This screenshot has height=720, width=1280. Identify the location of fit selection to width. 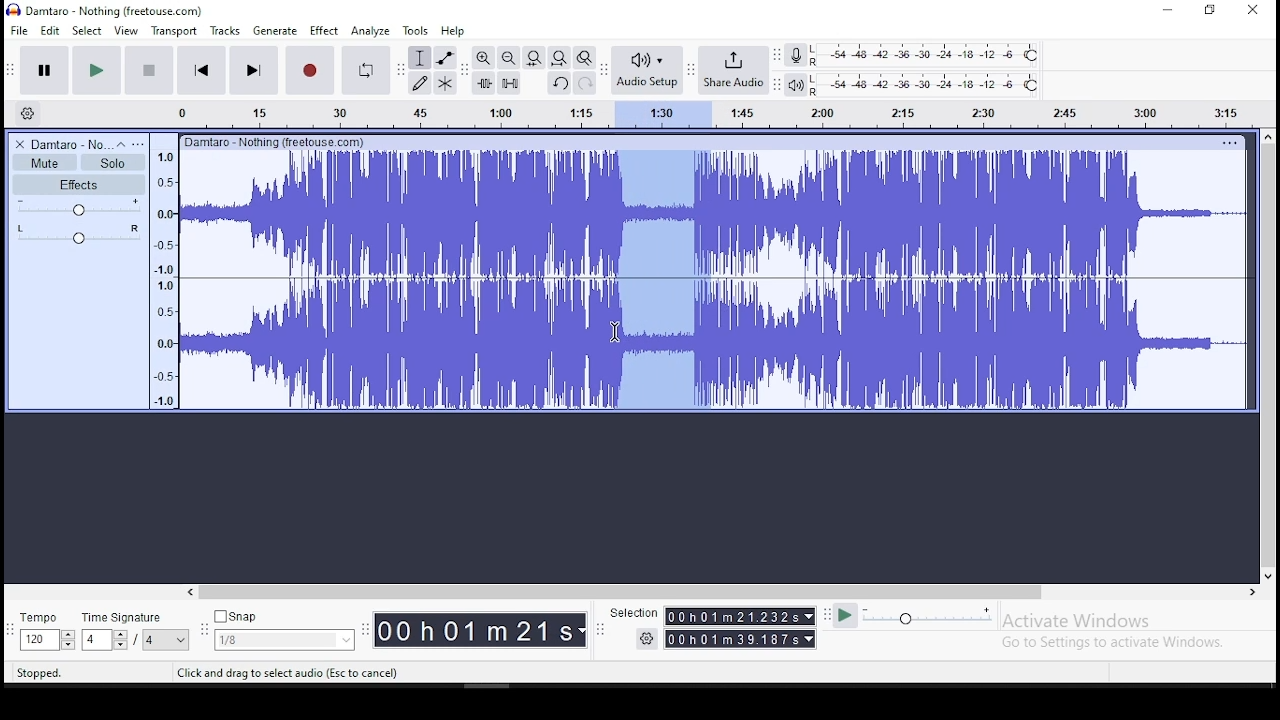
(533, 56).